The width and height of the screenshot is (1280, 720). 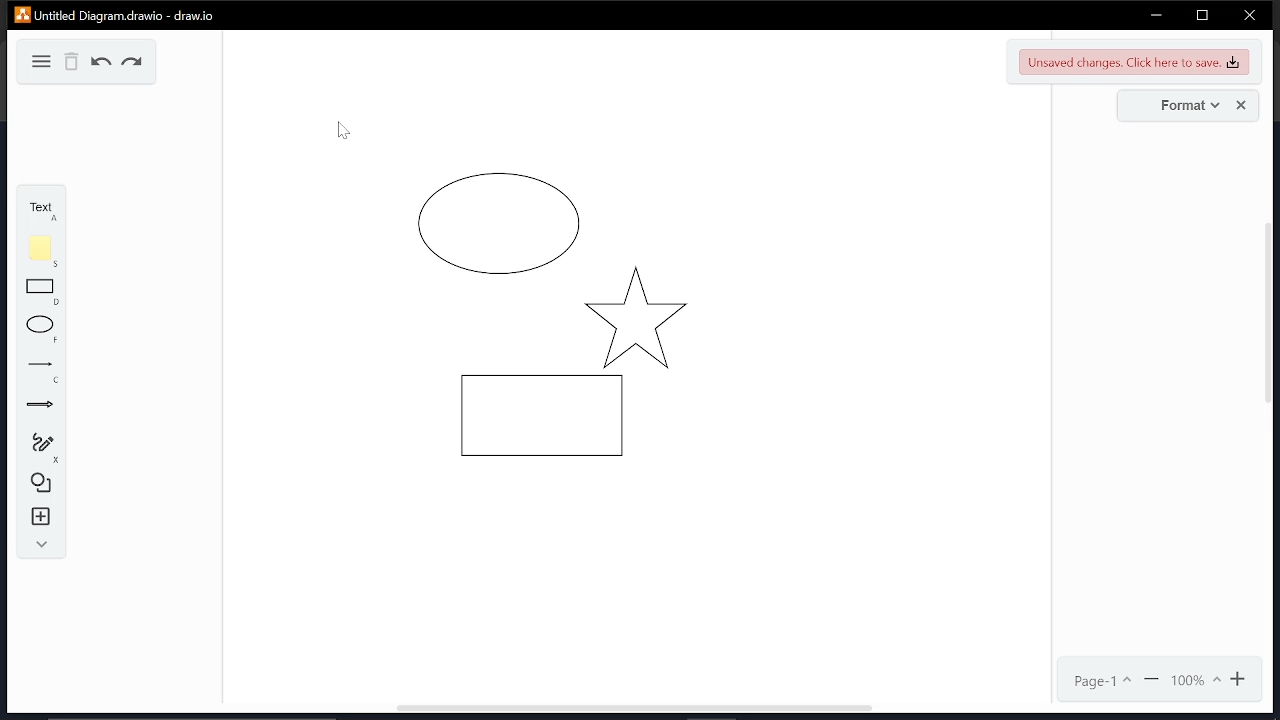 What do you see at coordinates (42, 330) in the screenshot?
I see `ellipse` at bounding box center [42, 330].